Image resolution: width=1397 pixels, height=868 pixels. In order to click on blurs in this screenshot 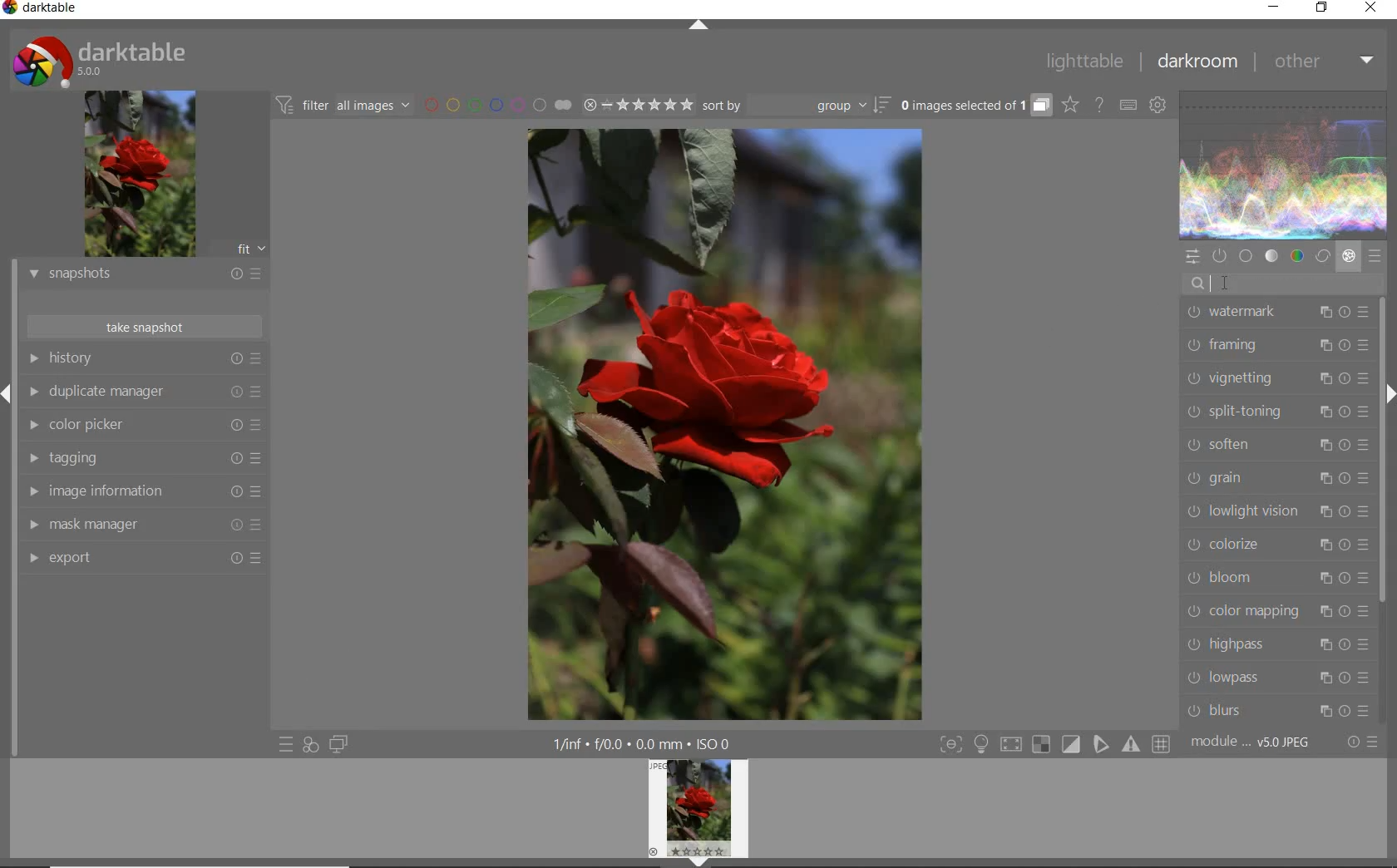, I will do `click(1279, 708)`.